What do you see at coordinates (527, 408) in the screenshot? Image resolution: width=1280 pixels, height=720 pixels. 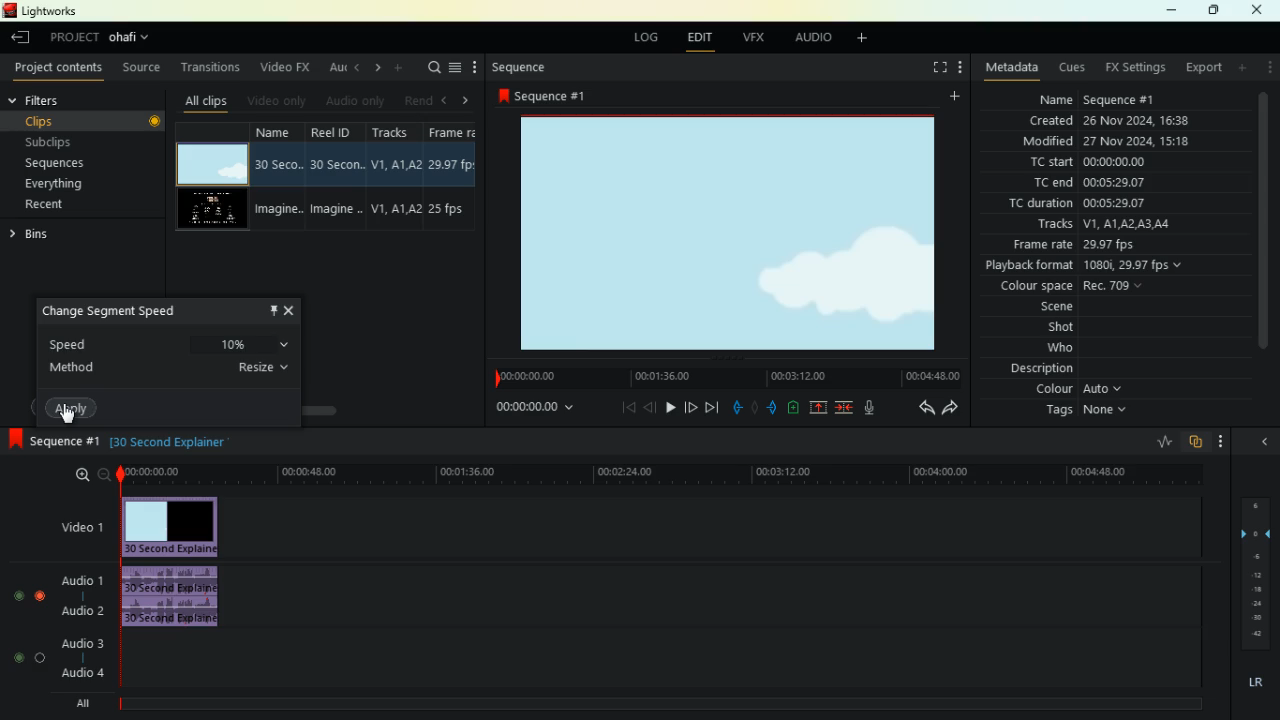 I see `time` at bounding box center [527, 408].